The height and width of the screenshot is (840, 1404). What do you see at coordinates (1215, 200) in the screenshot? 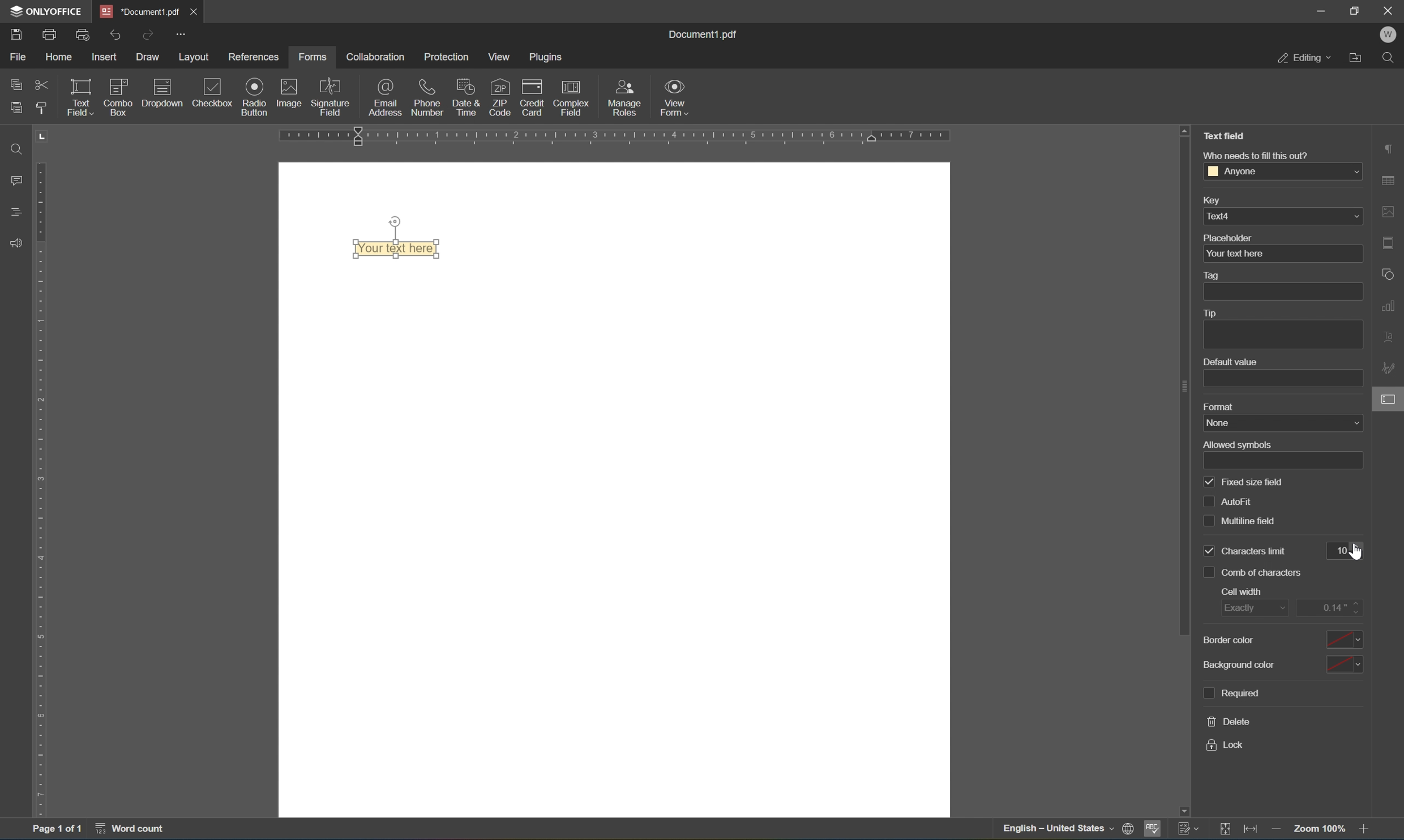
I see `key` at bounding box center [1215, 200].